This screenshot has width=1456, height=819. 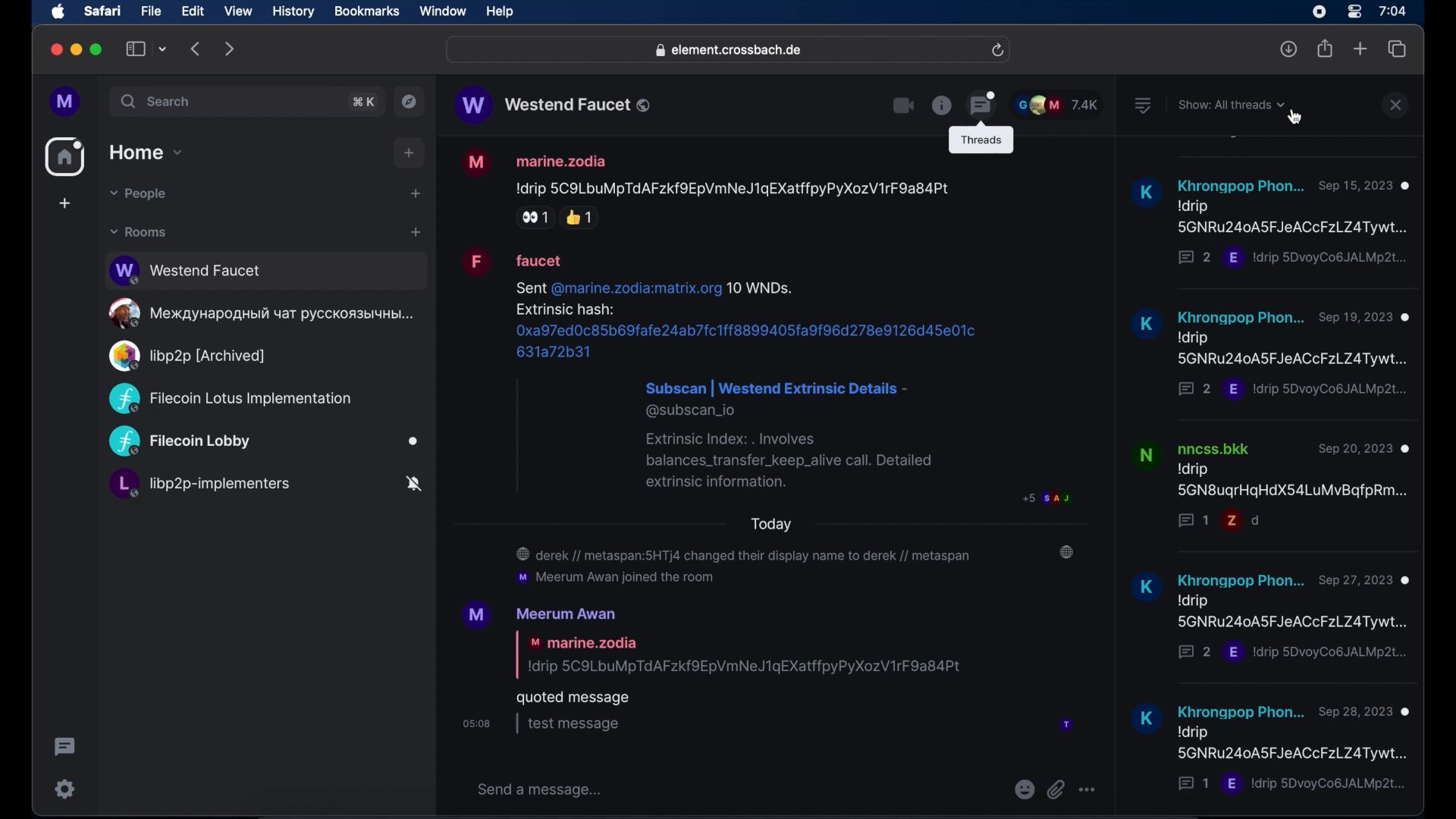 I want to click on information, so click(x=943, y=105).